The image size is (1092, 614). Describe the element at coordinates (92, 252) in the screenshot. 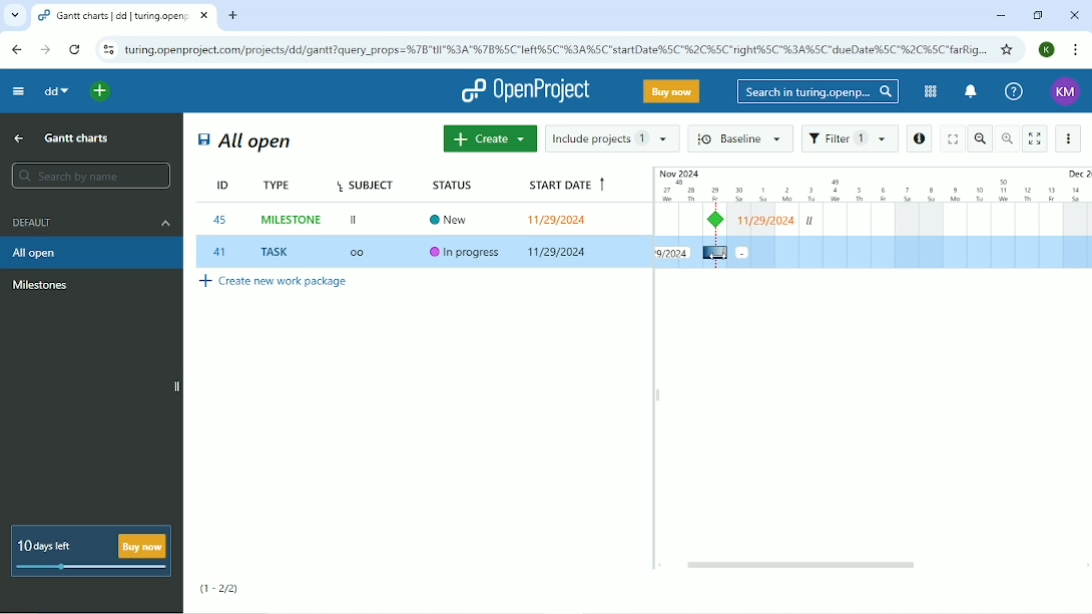

I see `All open` at that location.